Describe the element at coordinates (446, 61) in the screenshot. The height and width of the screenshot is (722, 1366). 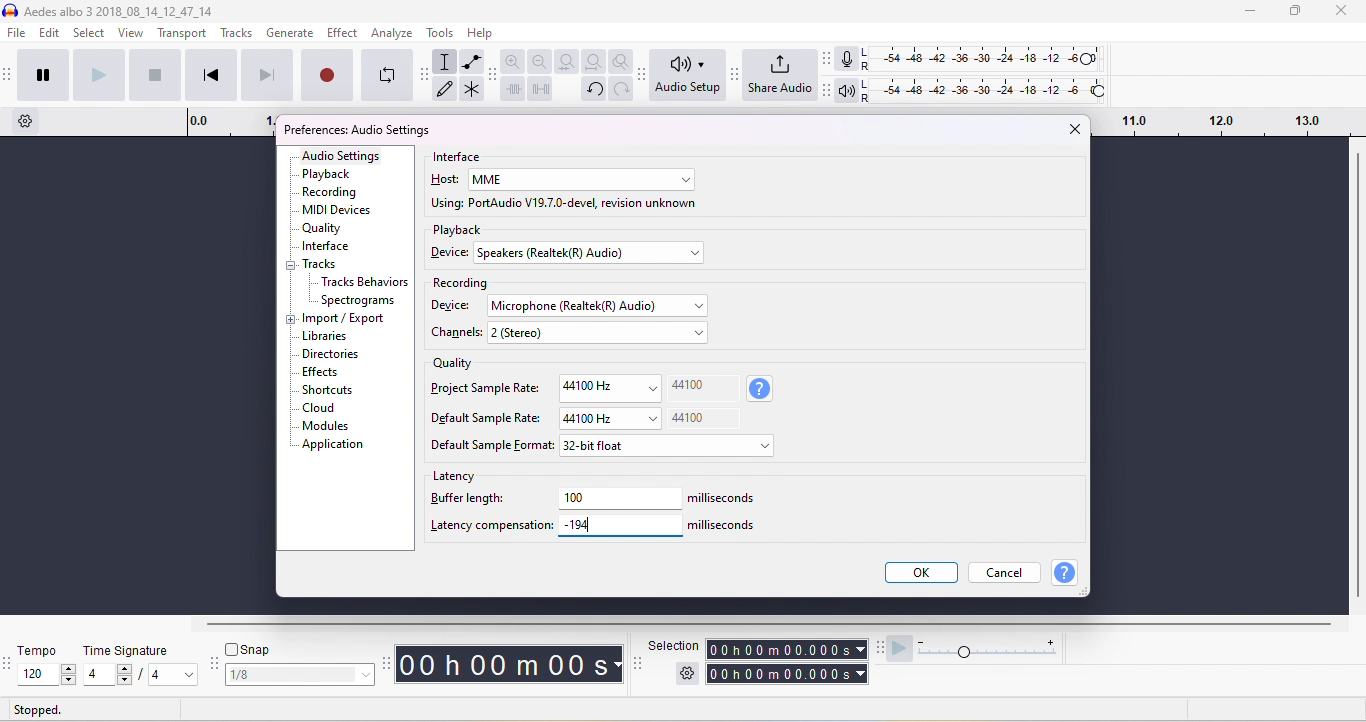
I see `selection tool` at that location.